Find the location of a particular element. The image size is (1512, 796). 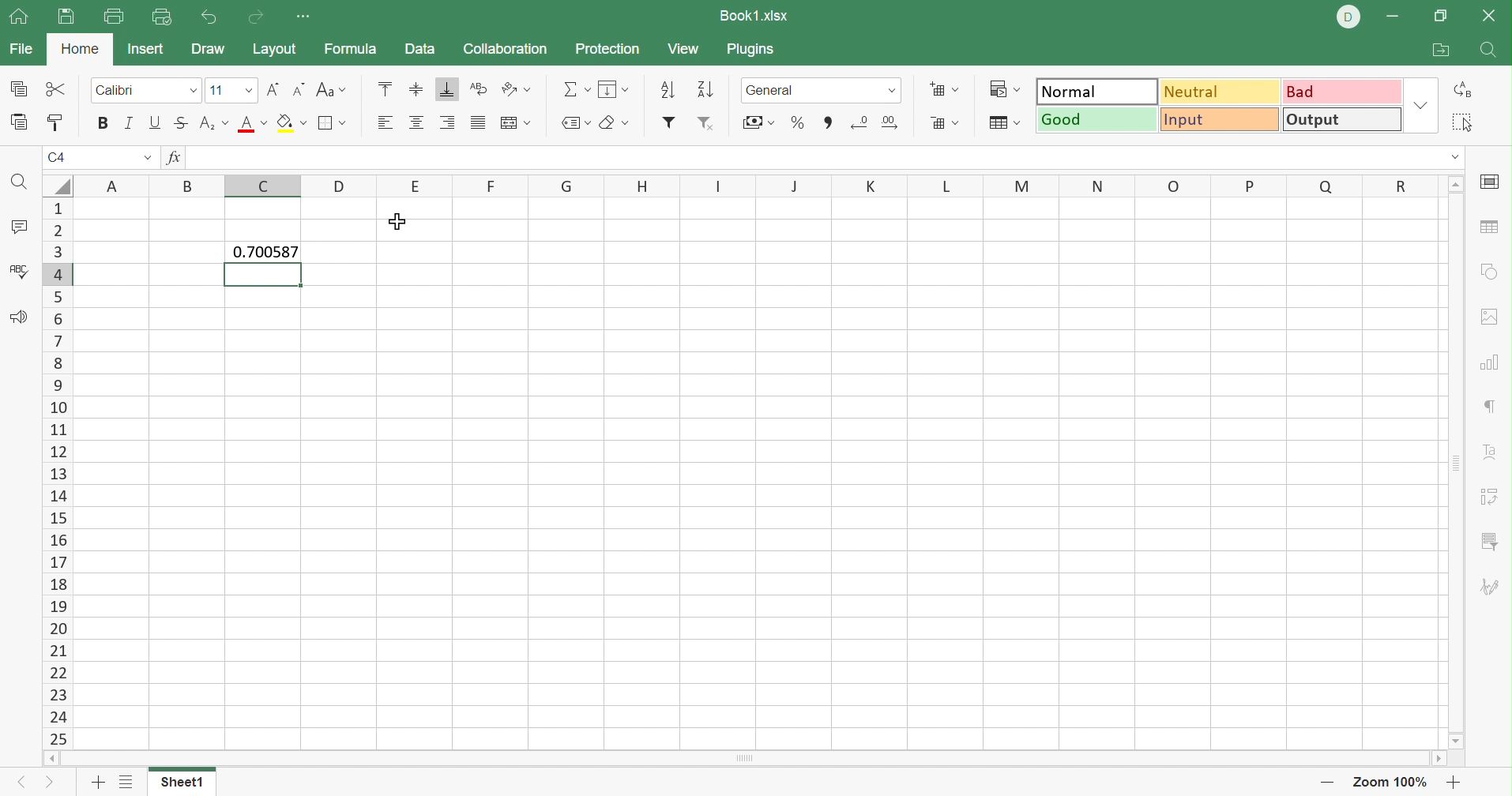

0.700587 is located at coordinates (263, 250).